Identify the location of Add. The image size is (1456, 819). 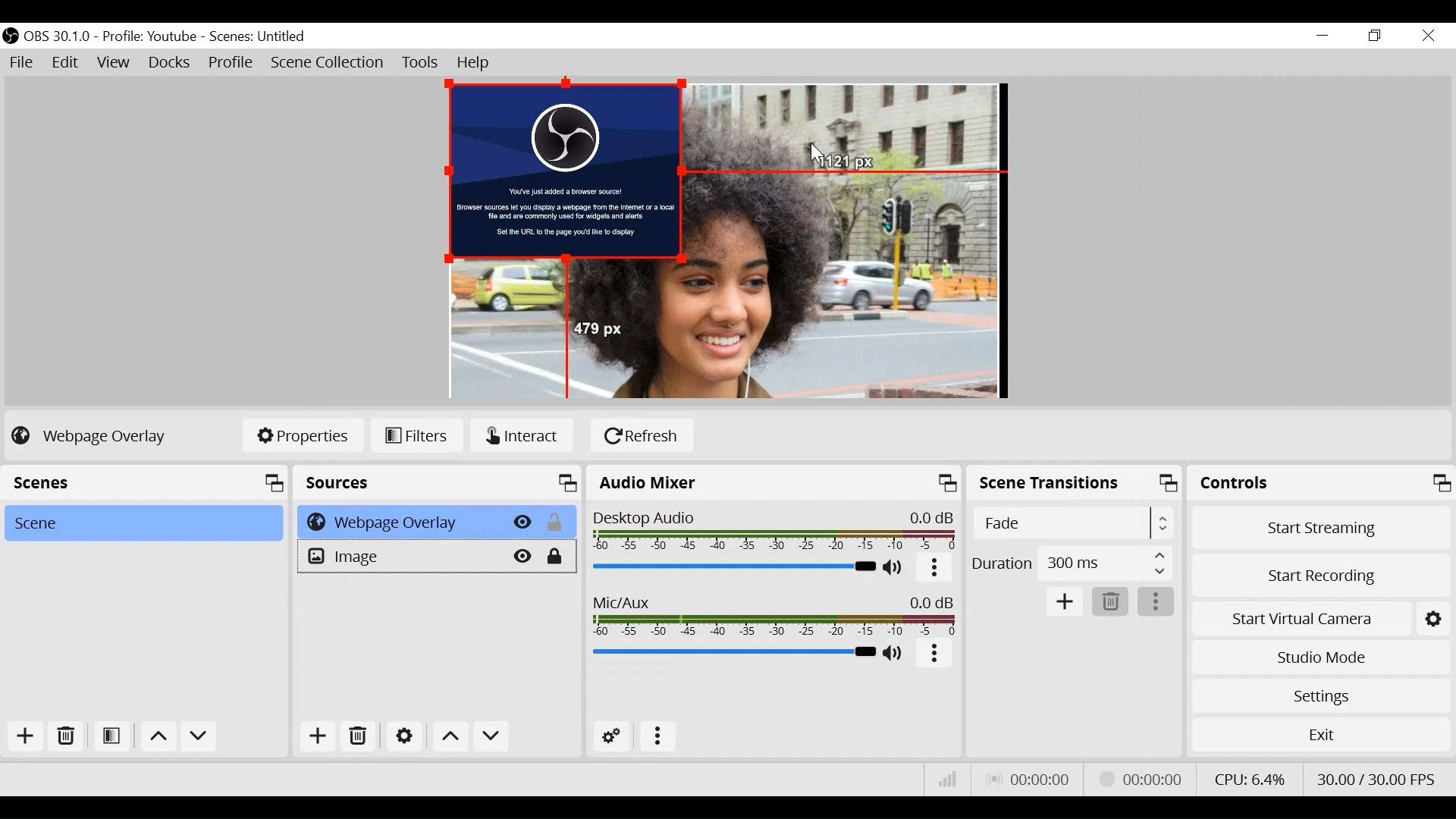
(31, 737).